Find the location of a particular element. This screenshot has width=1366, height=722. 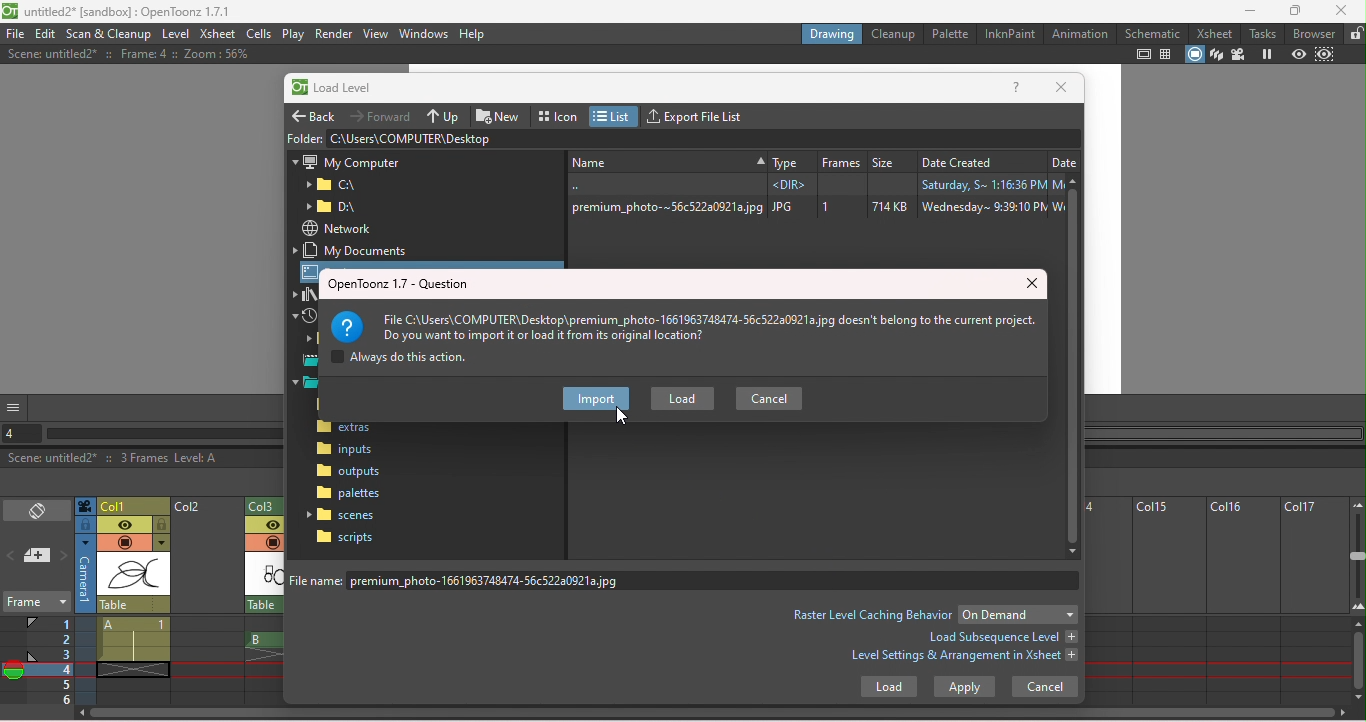

Play is located at coordinates (293, 34).